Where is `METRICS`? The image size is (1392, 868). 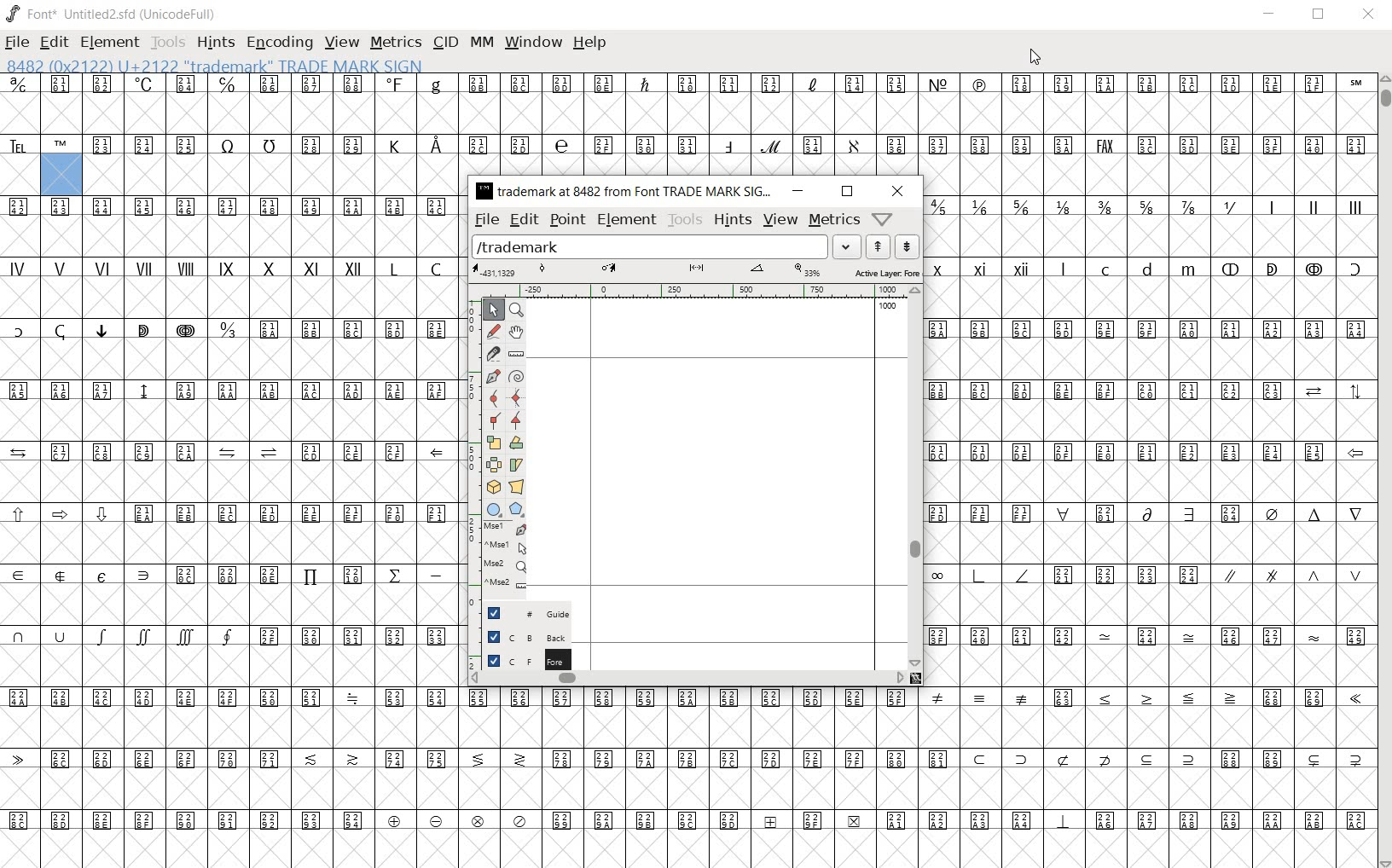 METRICS is located at coordinates (395, 44).